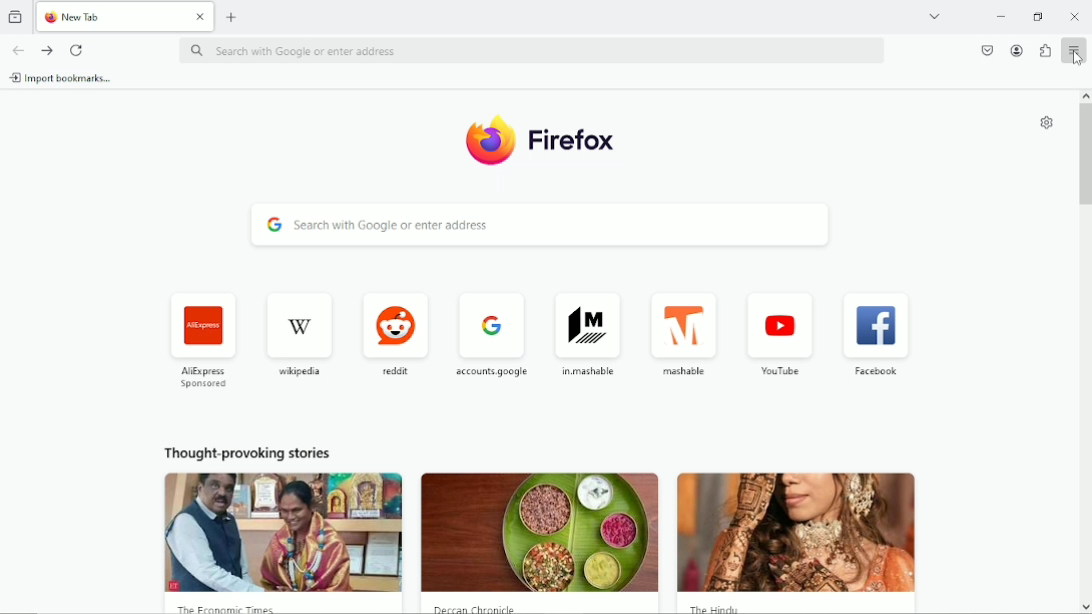  What do you see at coordinates (986, 48) in the screenshot?
I see `save to pocket` at bounding box center [986, 48].